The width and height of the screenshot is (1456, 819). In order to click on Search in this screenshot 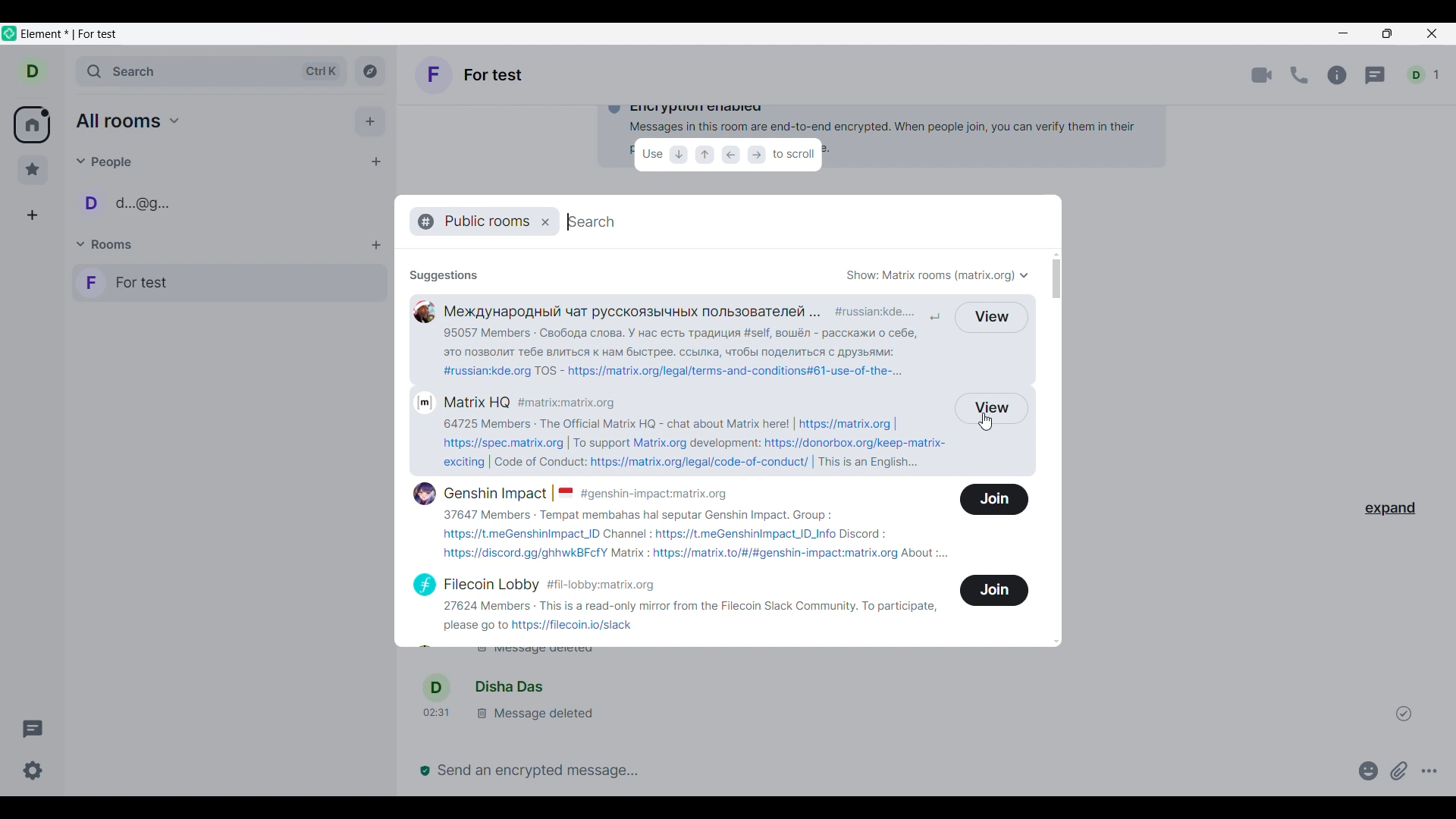, I will do `click(598, 221)`.